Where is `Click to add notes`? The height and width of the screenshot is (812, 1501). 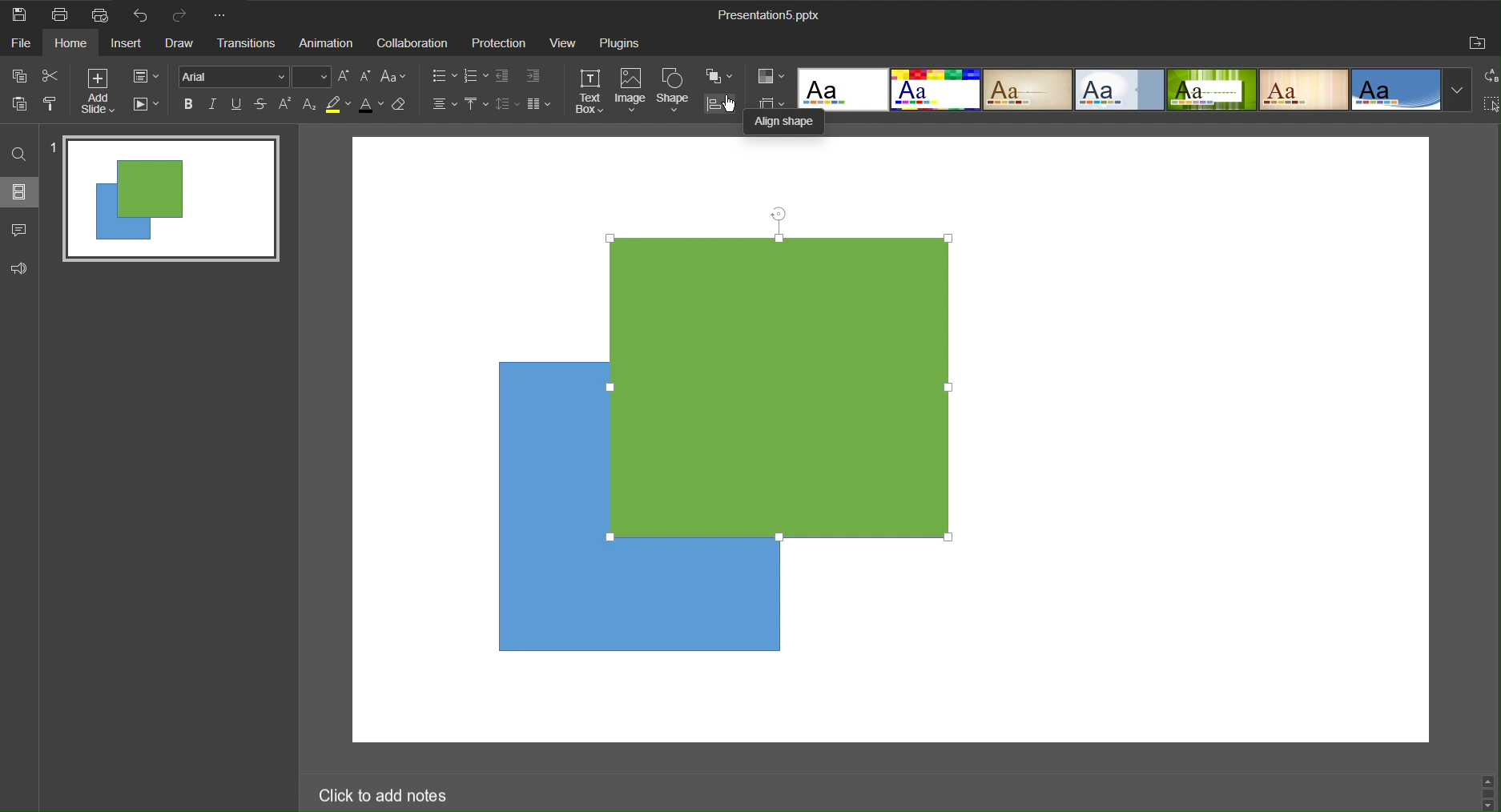
Click to add notes is located at coordinates (388, 796).